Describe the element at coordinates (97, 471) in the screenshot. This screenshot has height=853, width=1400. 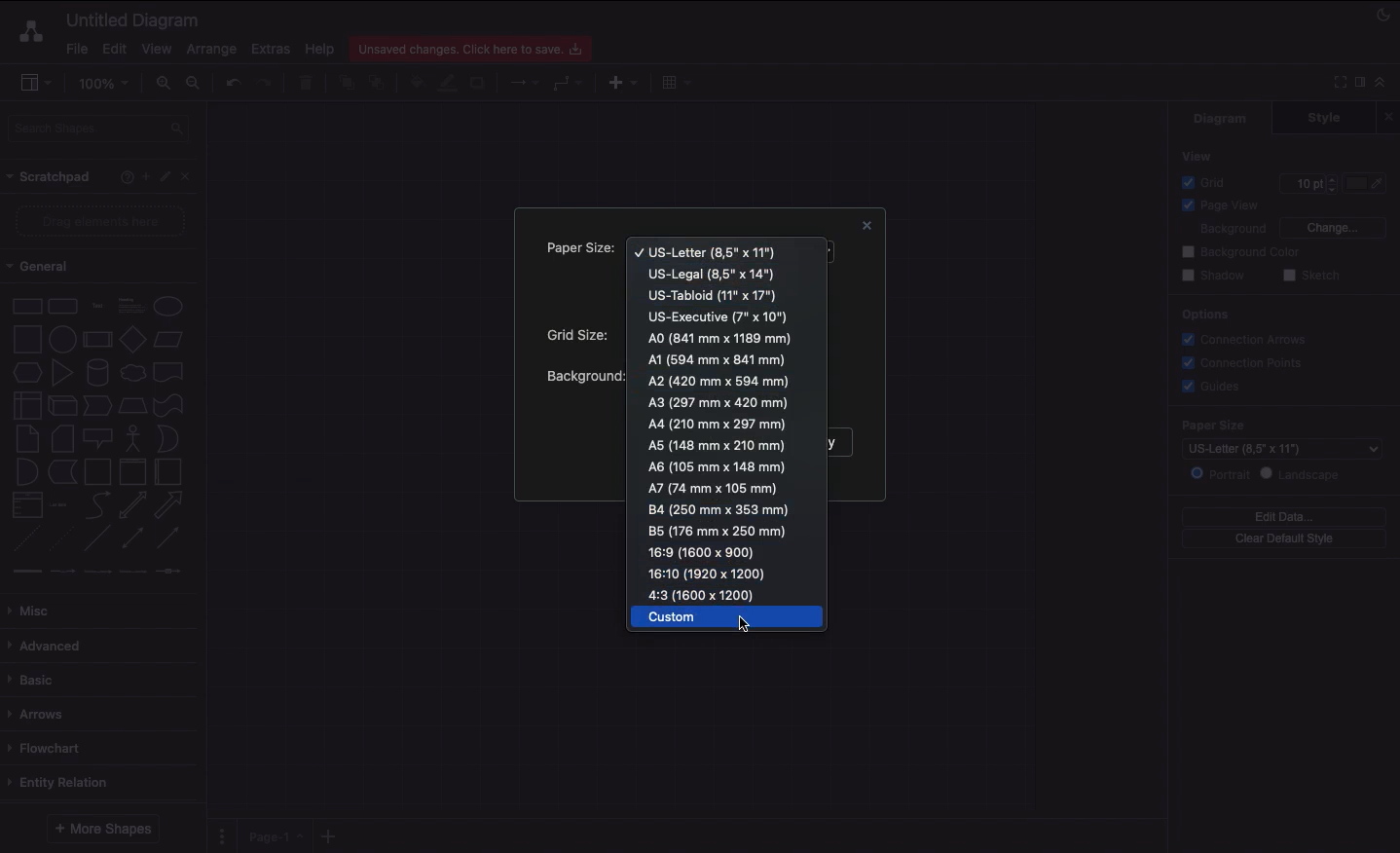
I see `Container` at that location.